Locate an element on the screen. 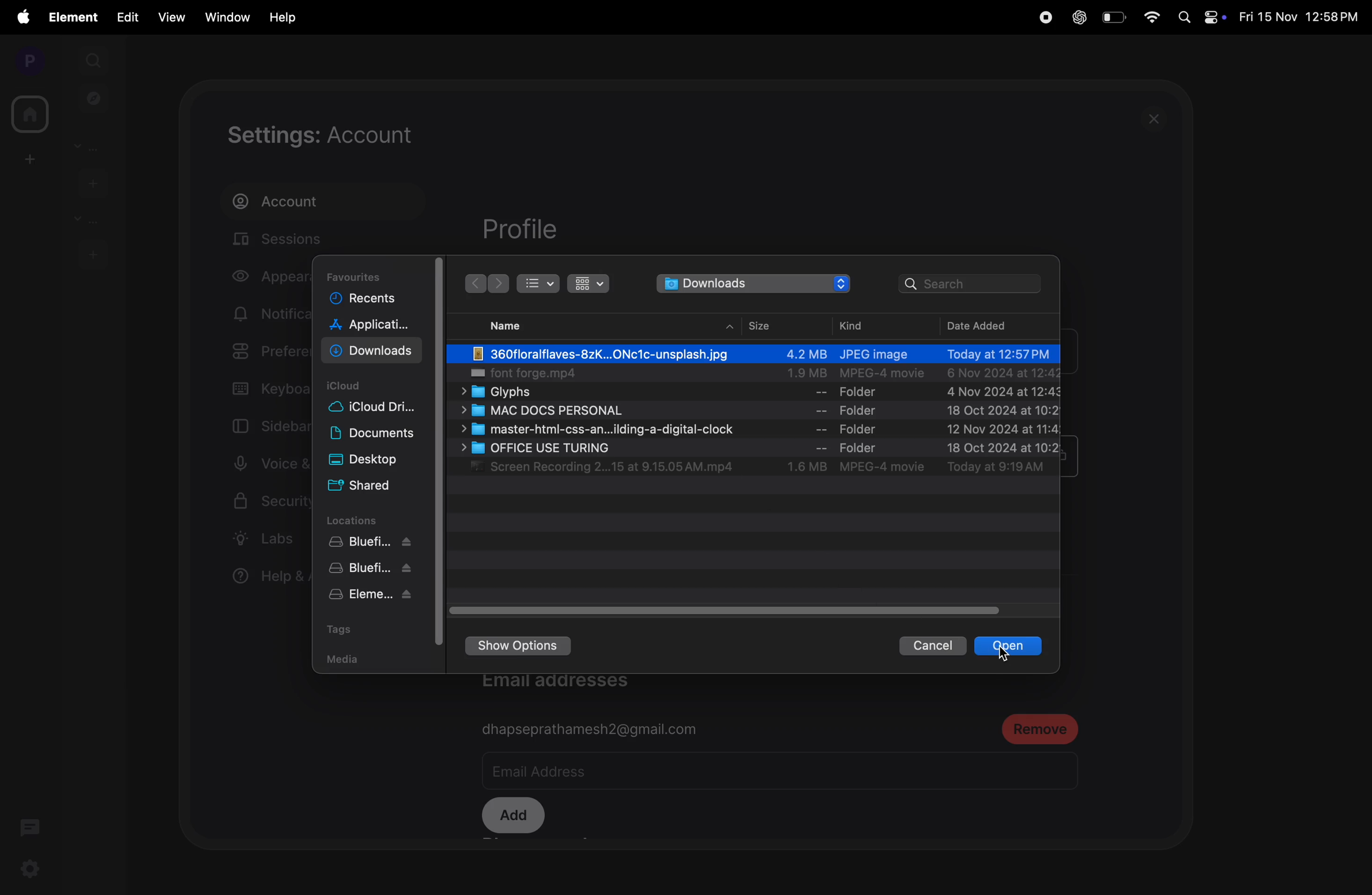  size is located at coordinates (768, 324).